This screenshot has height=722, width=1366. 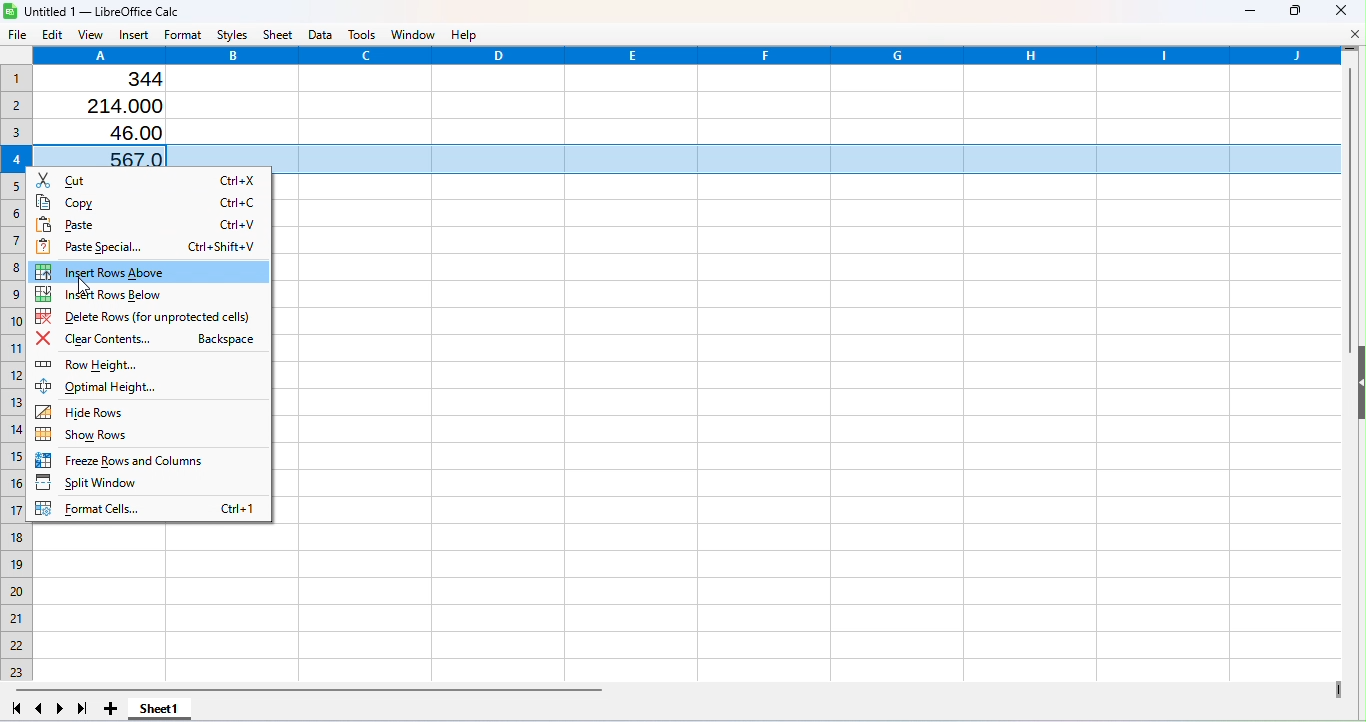 I want to click on Scroll to next sheet, so click(x=62, y=709).